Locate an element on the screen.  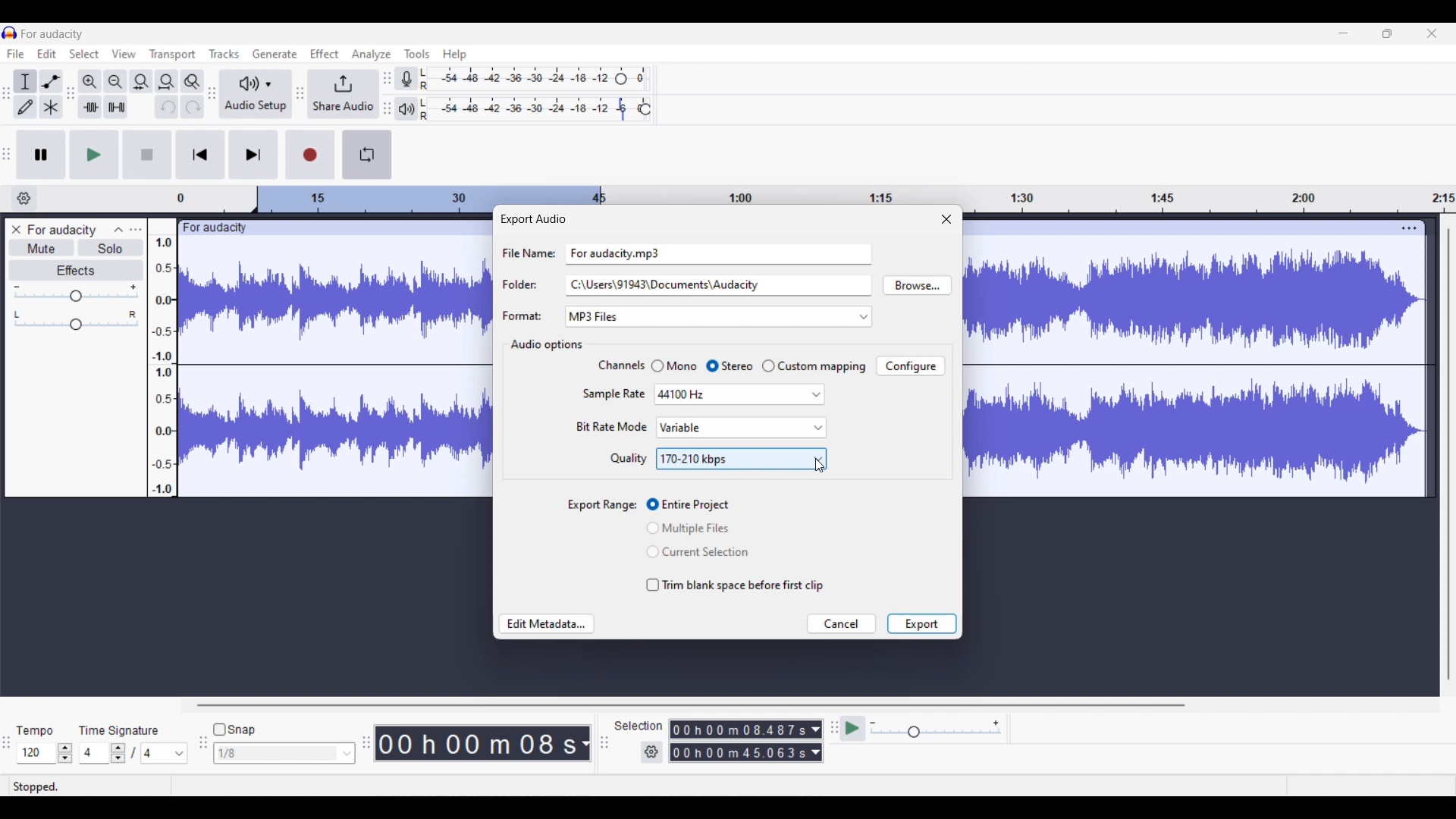
Toggle for Stereo, current selection is located at coordinates (730, 366).